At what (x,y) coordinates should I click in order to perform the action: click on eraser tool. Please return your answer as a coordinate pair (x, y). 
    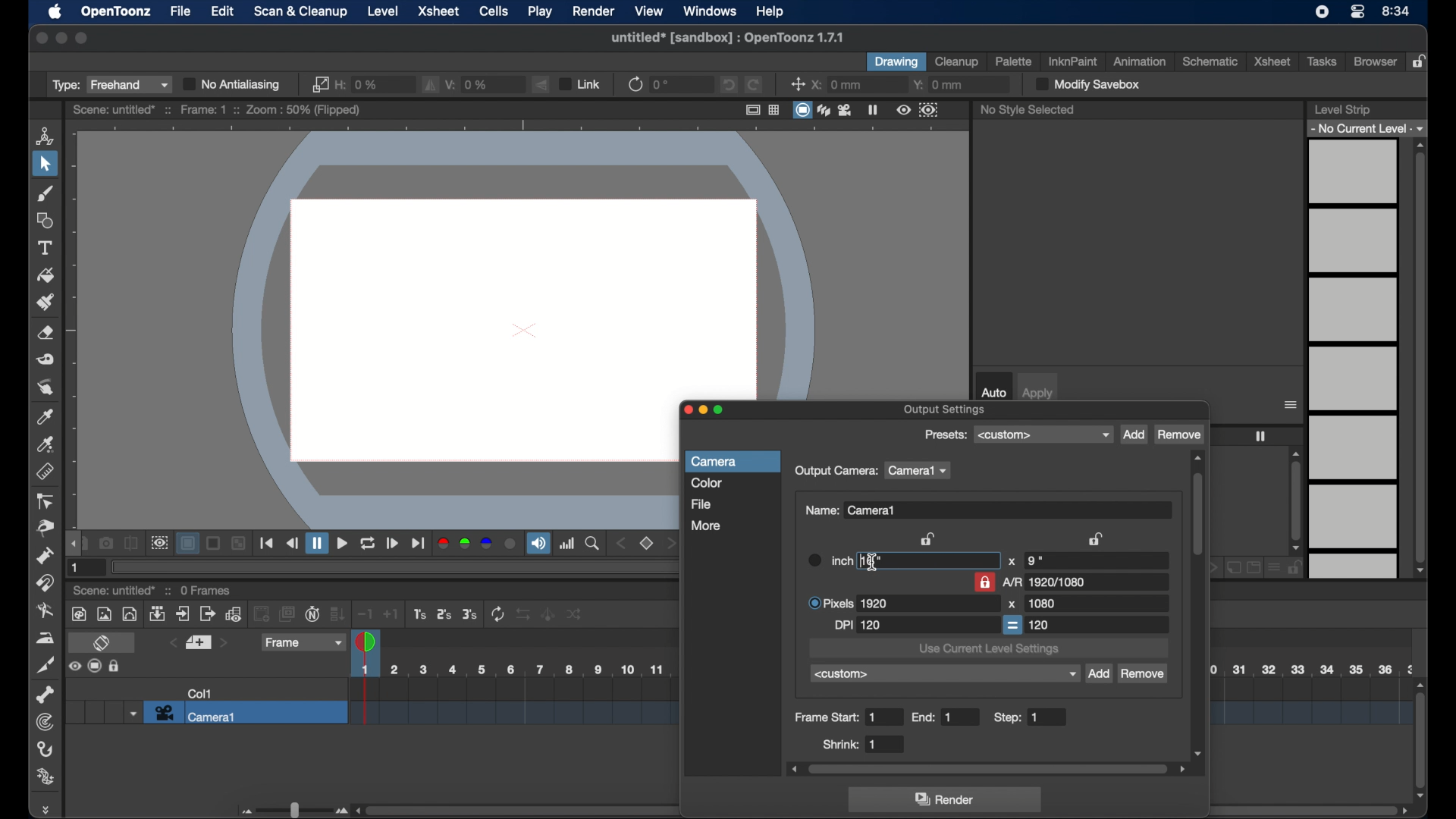
    Looking at the image, I should click on (47, 333).